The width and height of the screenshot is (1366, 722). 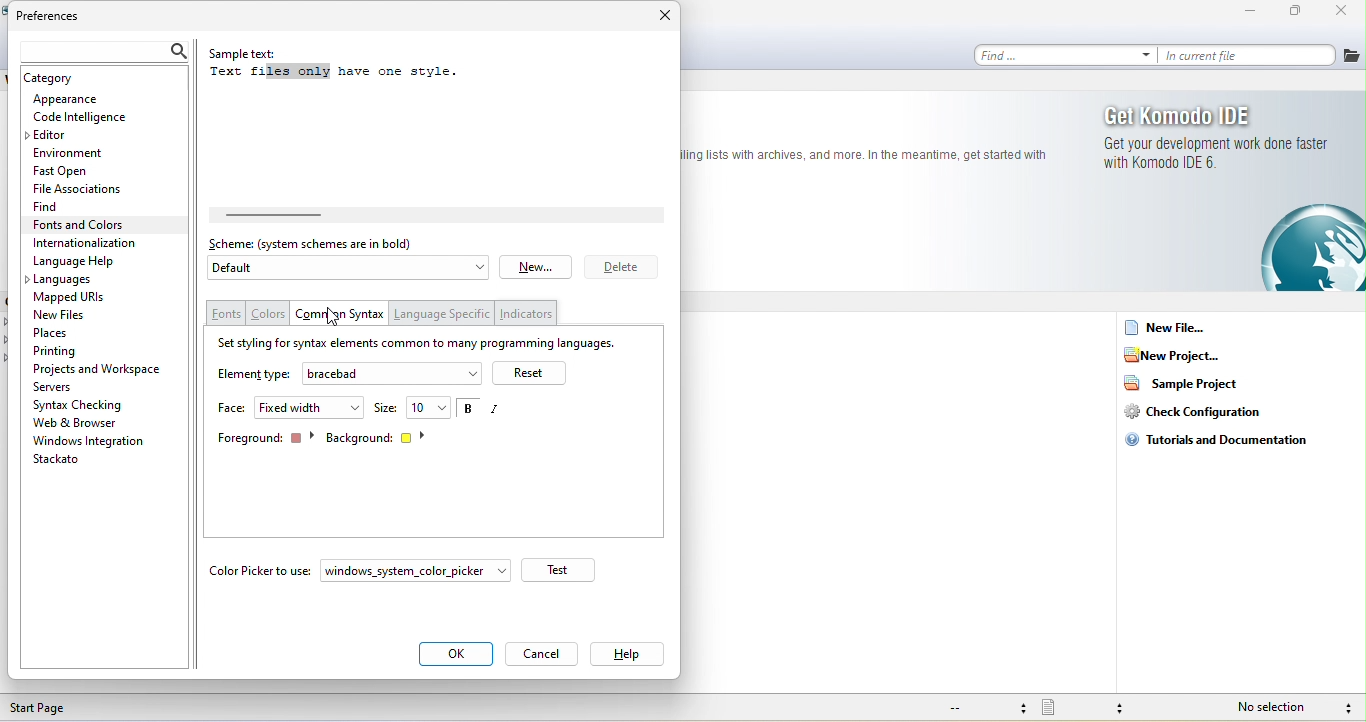 I want to click on sample text, so click(x=353, y=67).